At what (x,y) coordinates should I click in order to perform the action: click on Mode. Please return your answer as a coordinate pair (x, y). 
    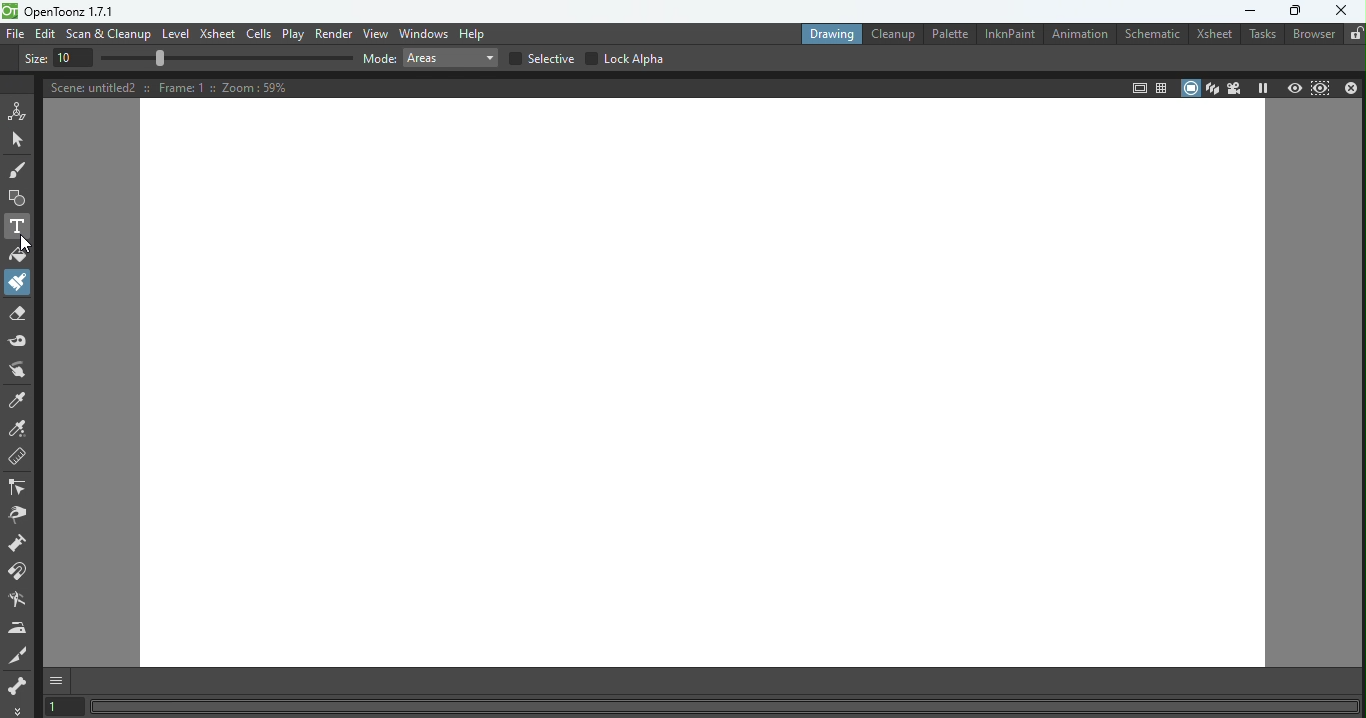
    Looking at the image, I should click on (380, 60).